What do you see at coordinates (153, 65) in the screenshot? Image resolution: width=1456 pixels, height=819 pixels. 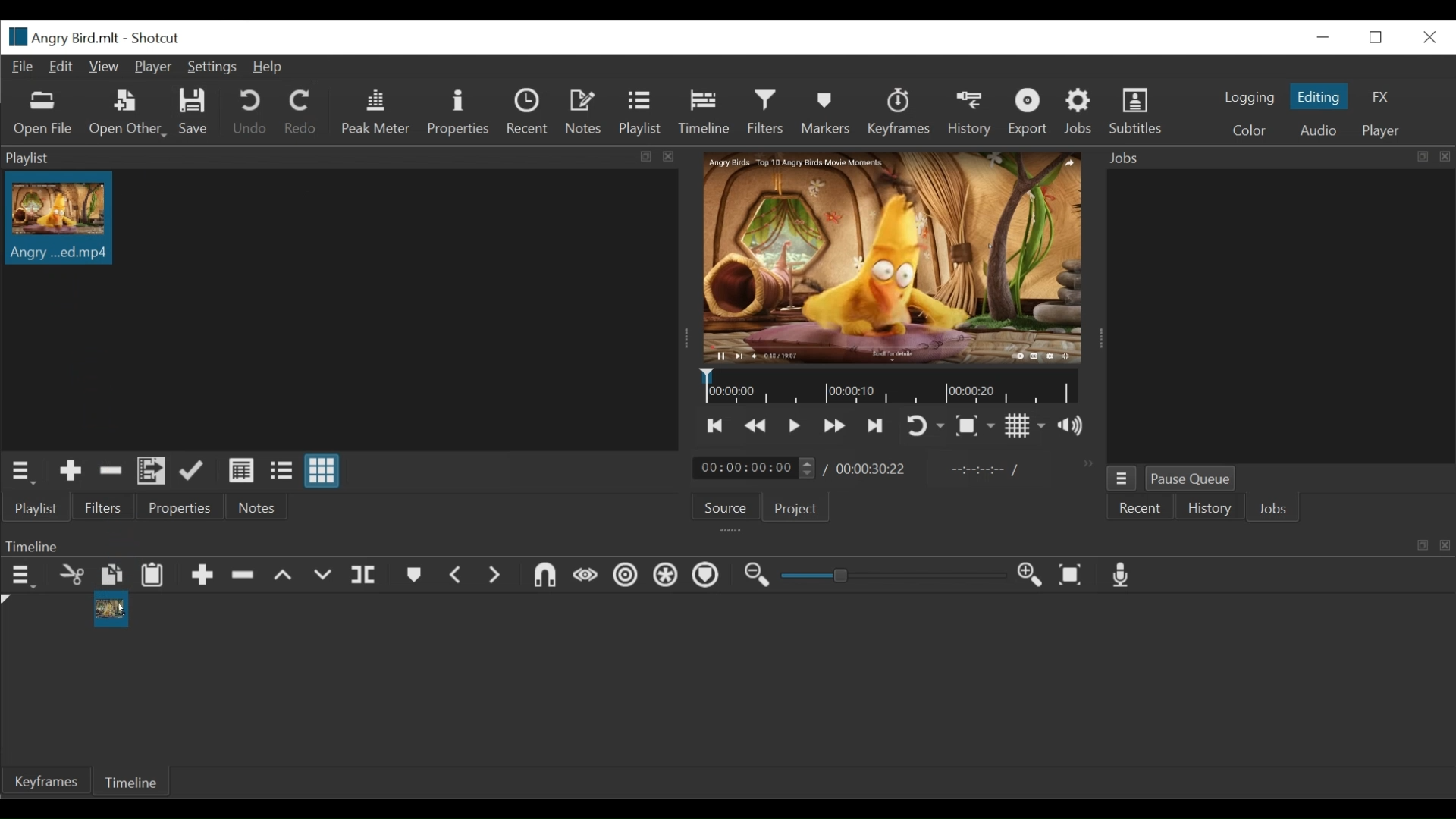 I see `Player` at bounding box center [153, 65].